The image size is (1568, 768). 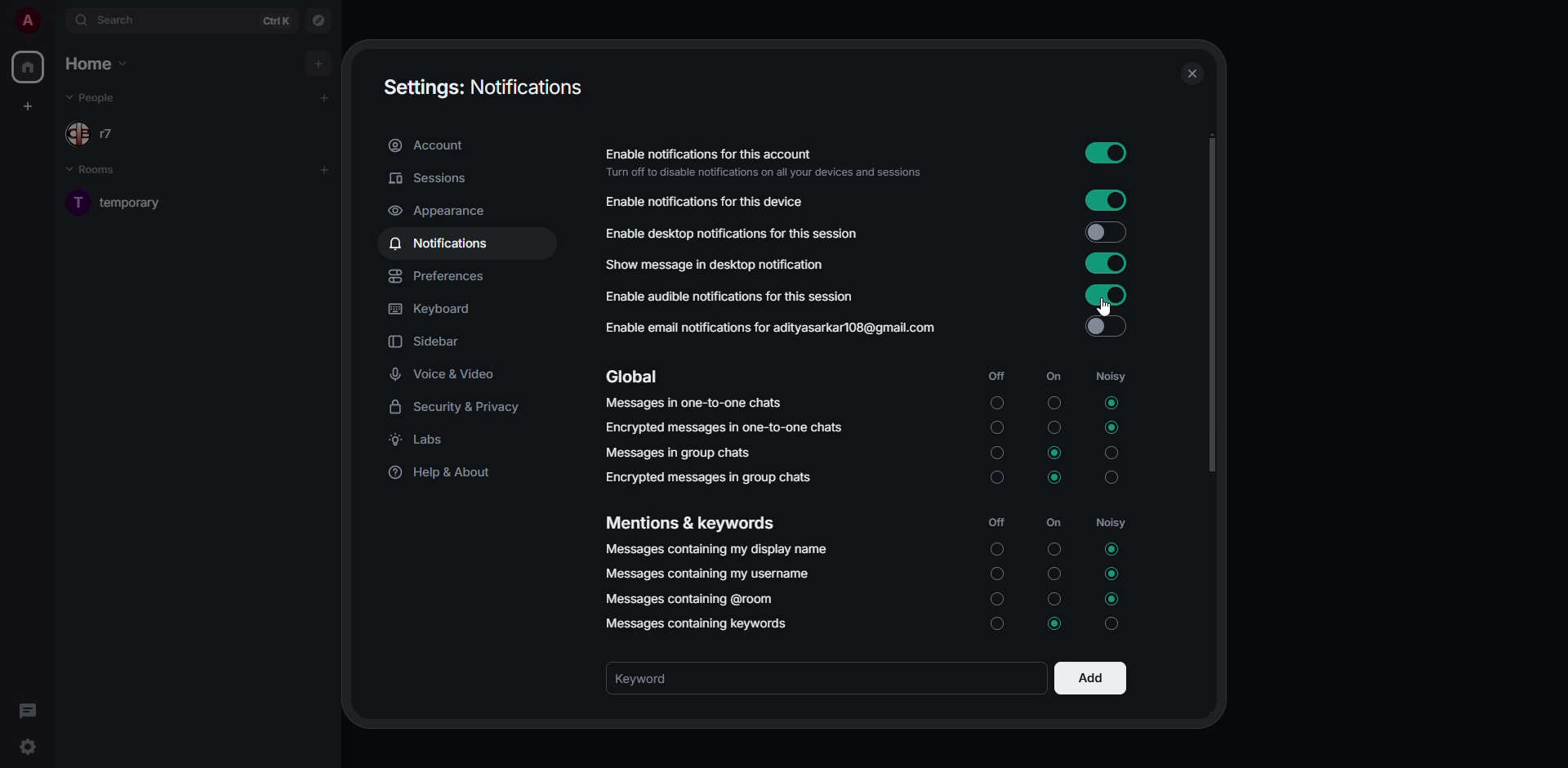 I want to click on Noisy Unselected, so click(x=1111, y=623).